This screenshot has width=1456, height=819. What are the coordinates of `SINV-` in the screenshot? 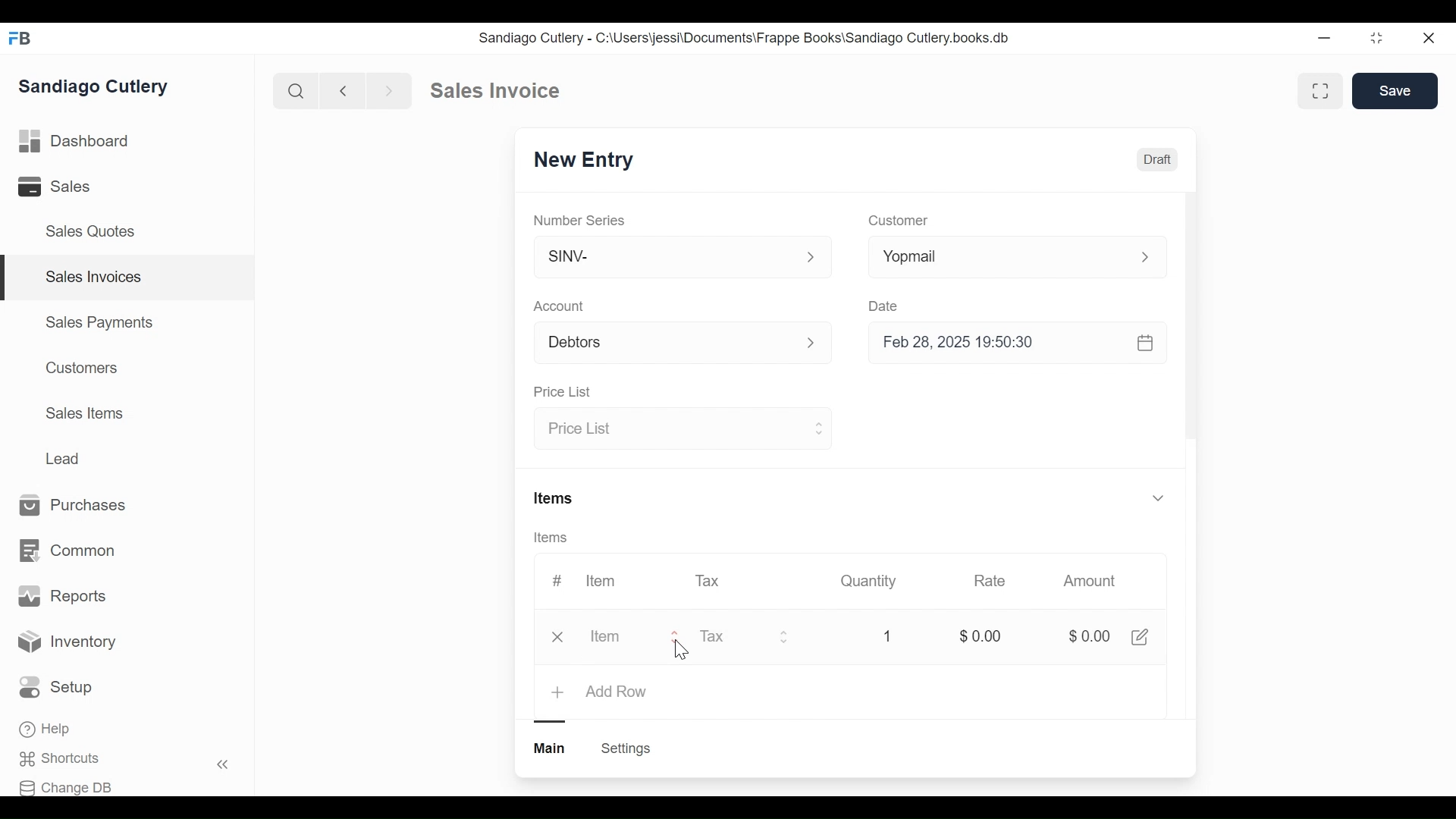 It's located at (681, 260).